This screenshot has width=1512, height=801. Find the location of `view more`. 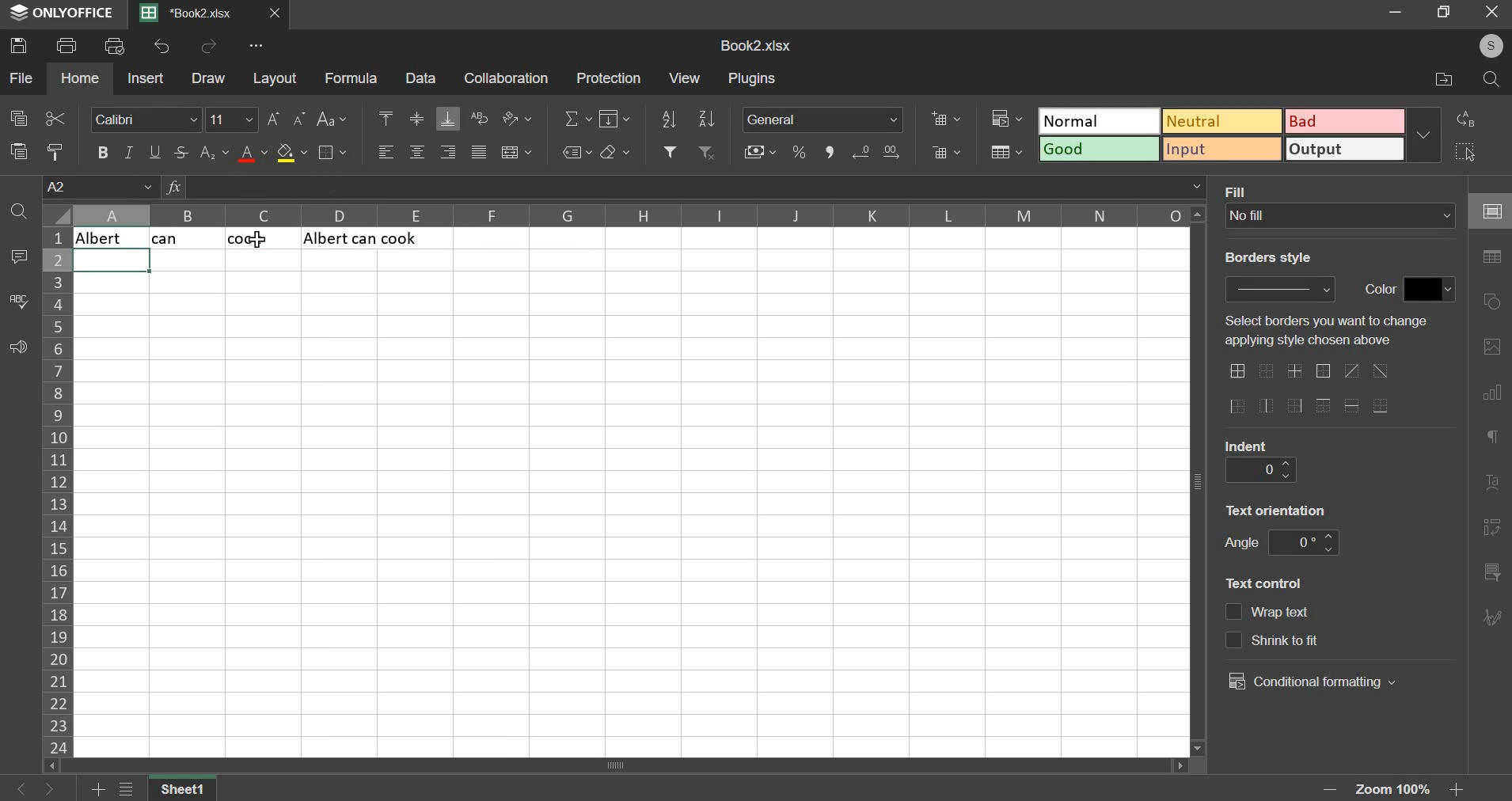

view more is located at coordinates (258, 46).